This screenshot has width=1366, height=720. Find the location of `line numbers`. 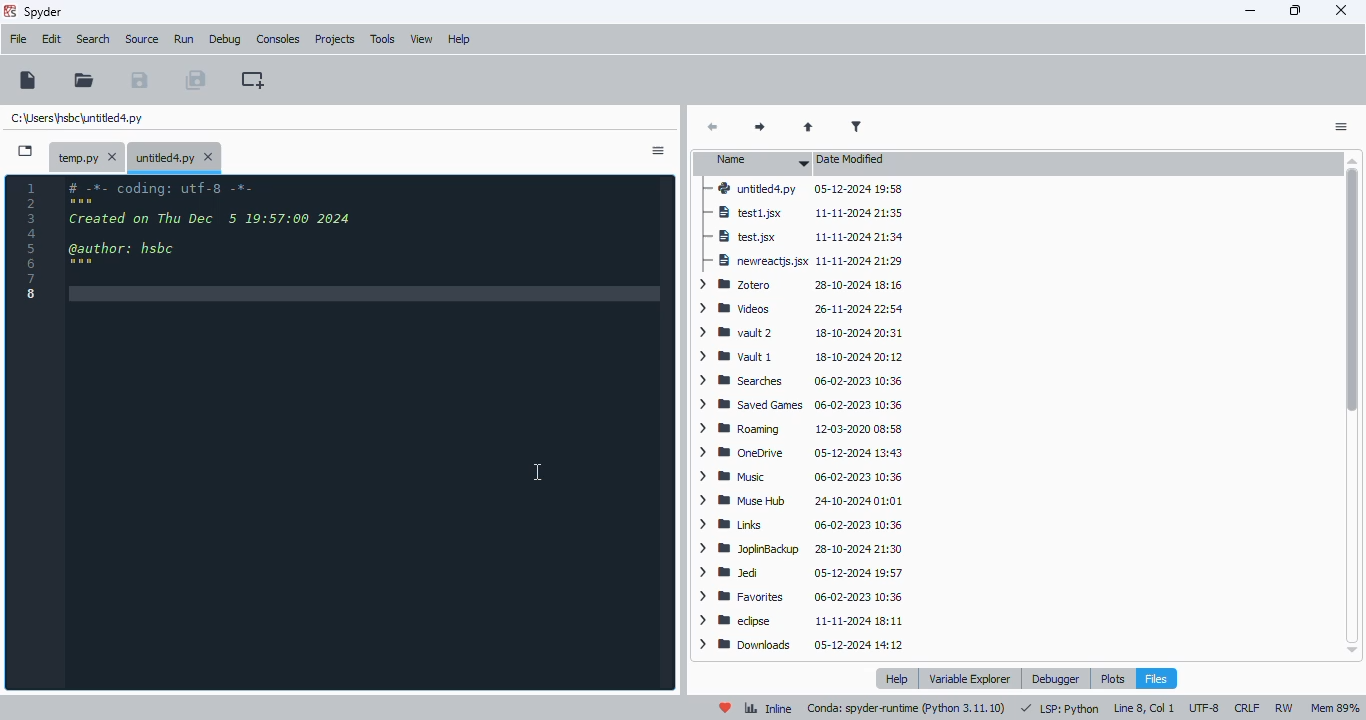

line numbers is located at coordinates (33, 240).